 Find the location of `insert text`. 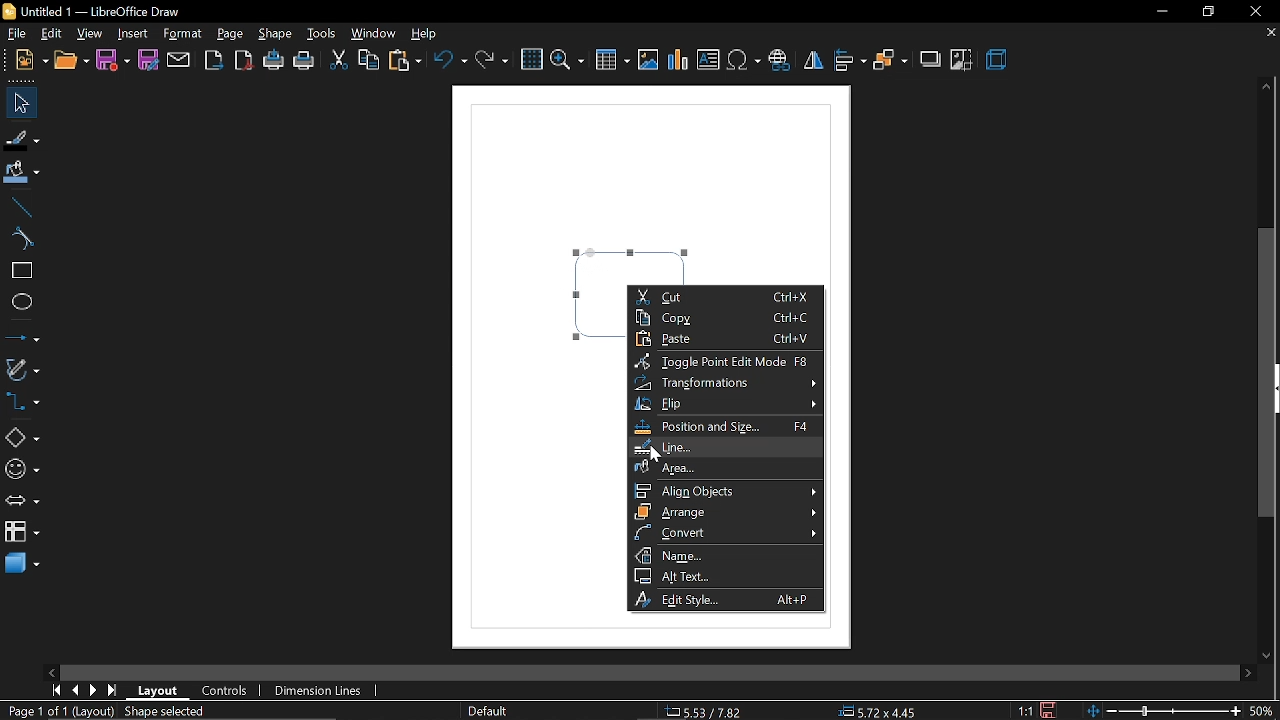

insert text is located at coordinates (710, 60).